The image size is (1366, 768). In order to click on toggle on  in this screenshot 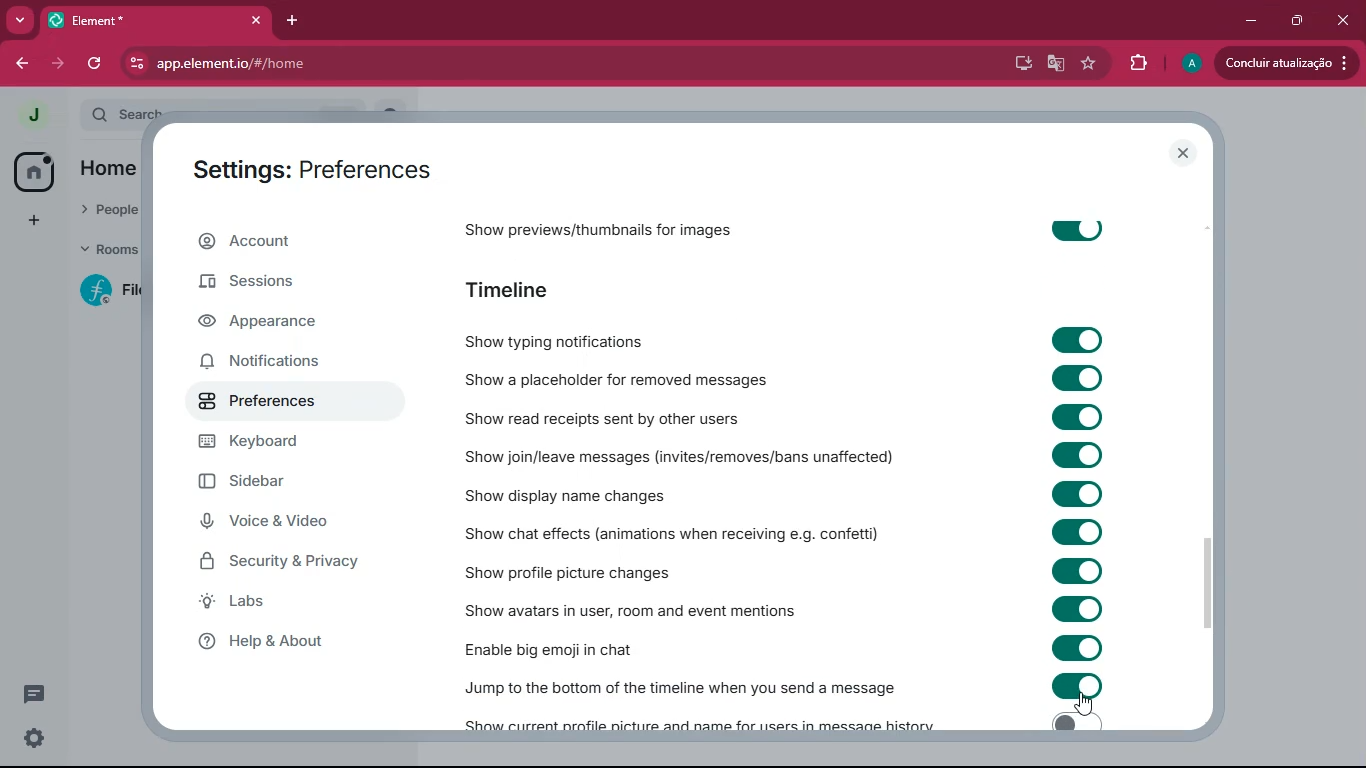, I will do `click(1079, 532)`.